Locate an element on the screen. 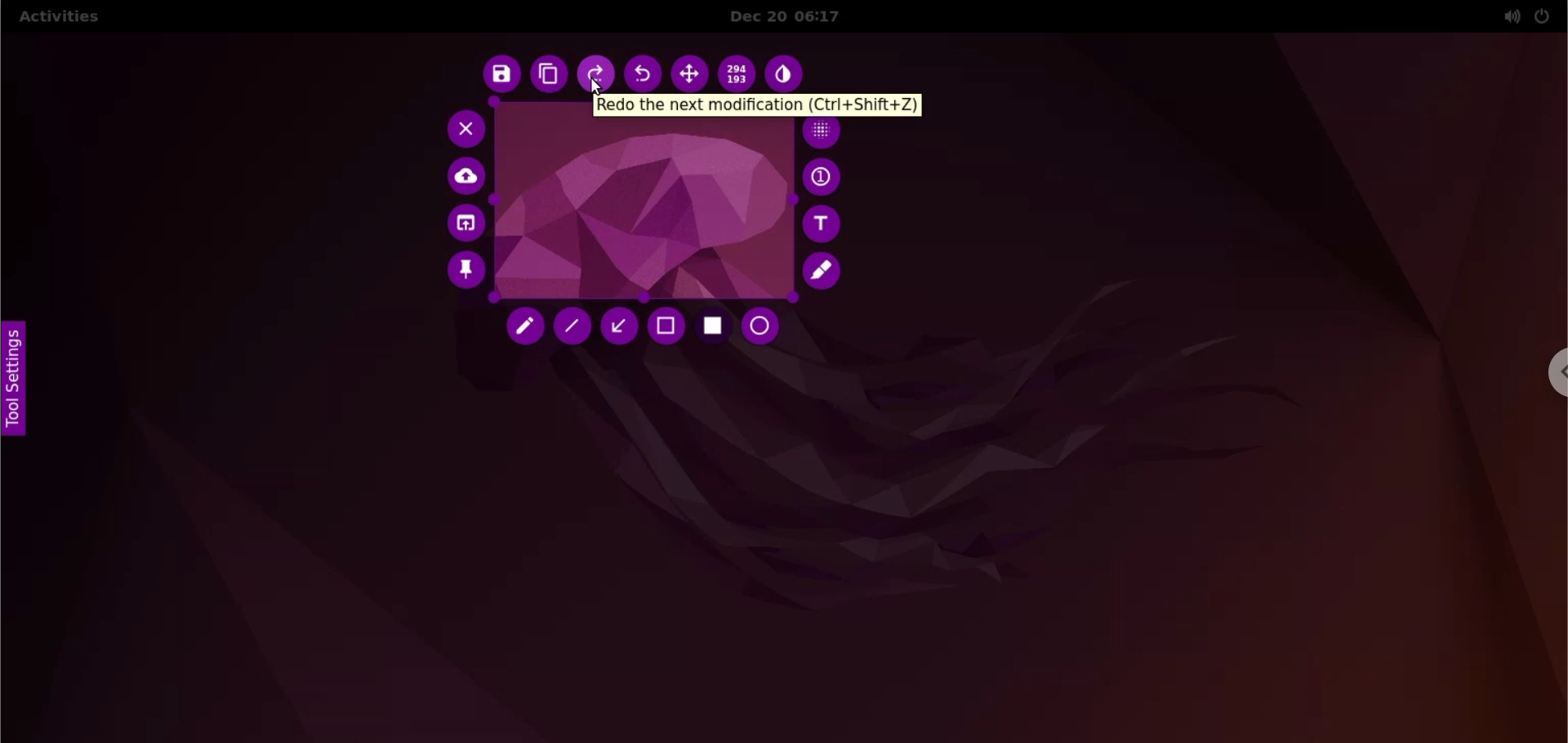 Image resolution: width=1568 pixels, height=743 pixels. move selection is located at coordinates (689, 74).